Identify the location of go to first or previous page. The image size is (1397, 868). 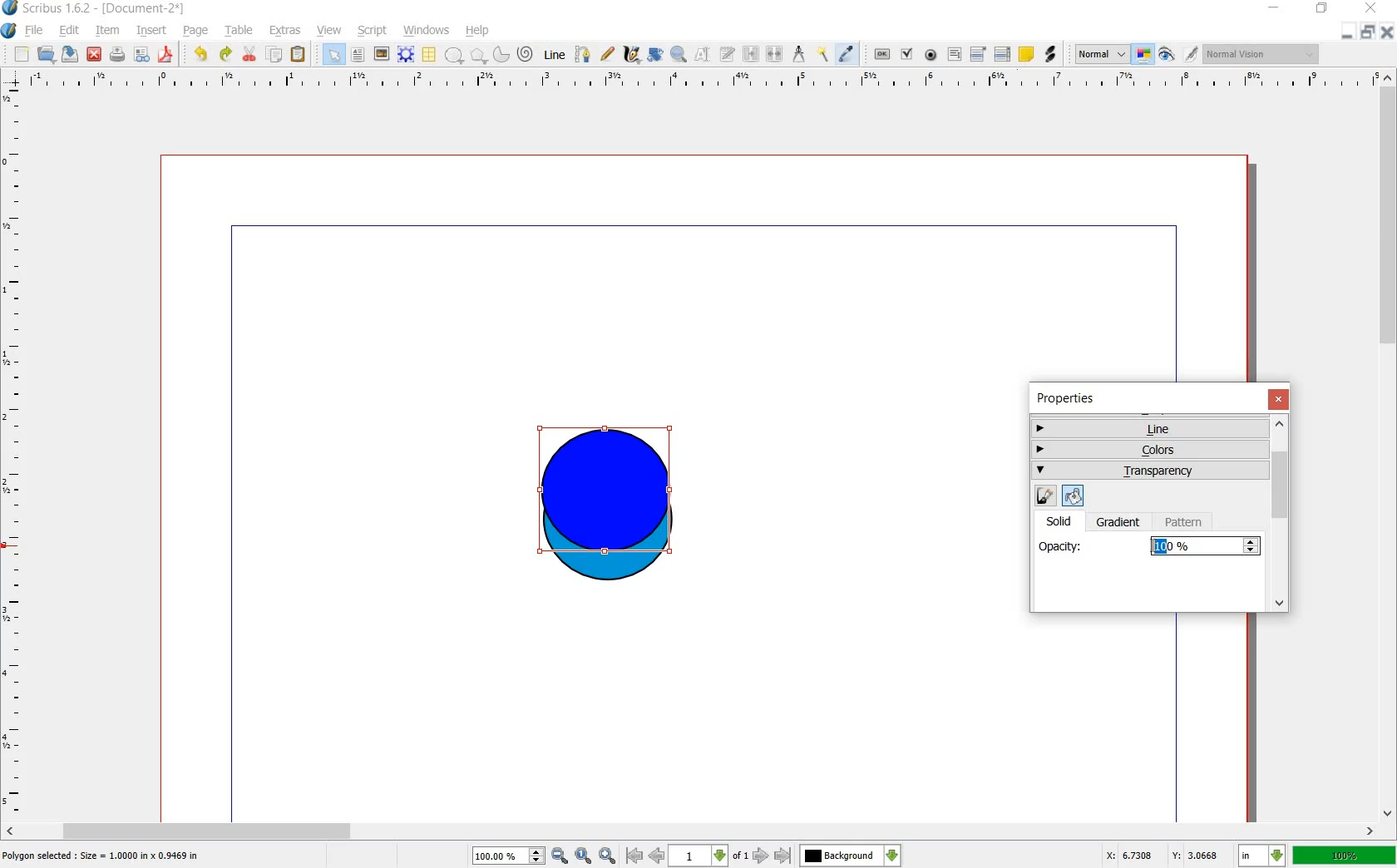
(645, 856).